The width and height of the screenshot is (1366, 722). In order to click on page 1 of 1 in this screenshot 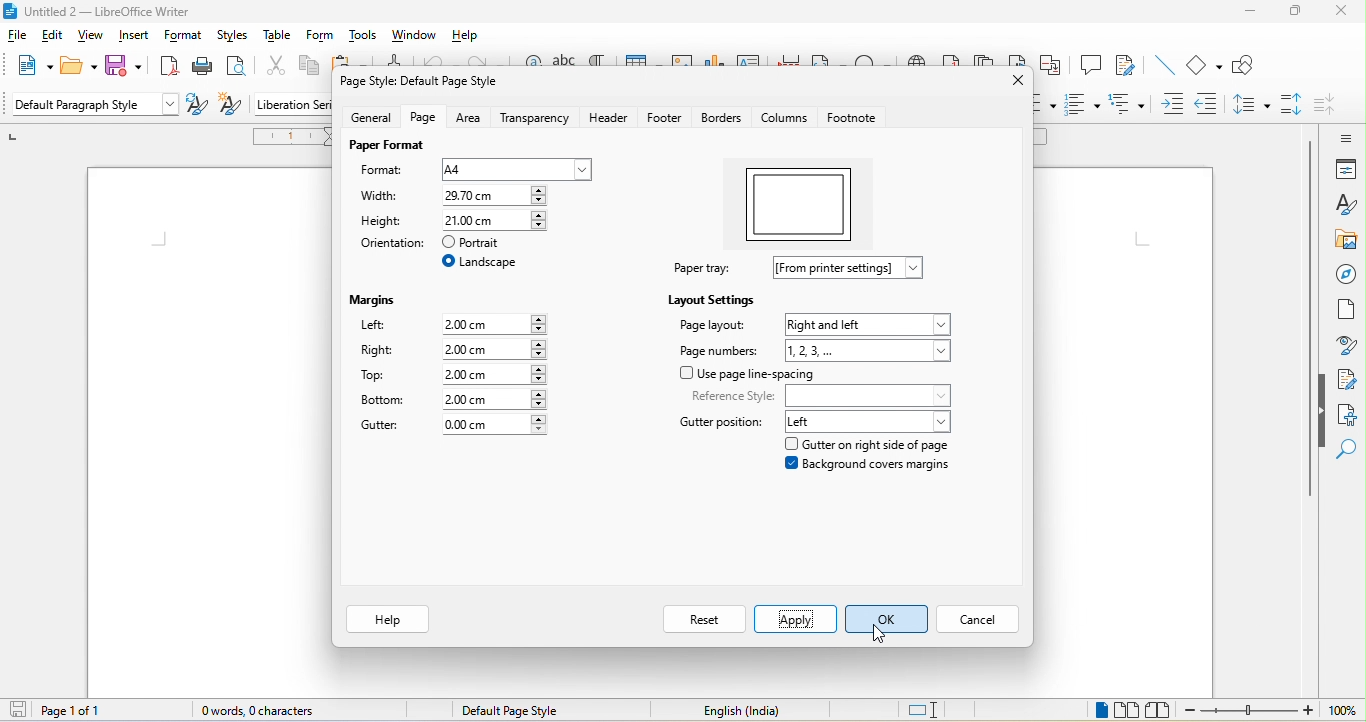, I will do `click(54, 710)`.